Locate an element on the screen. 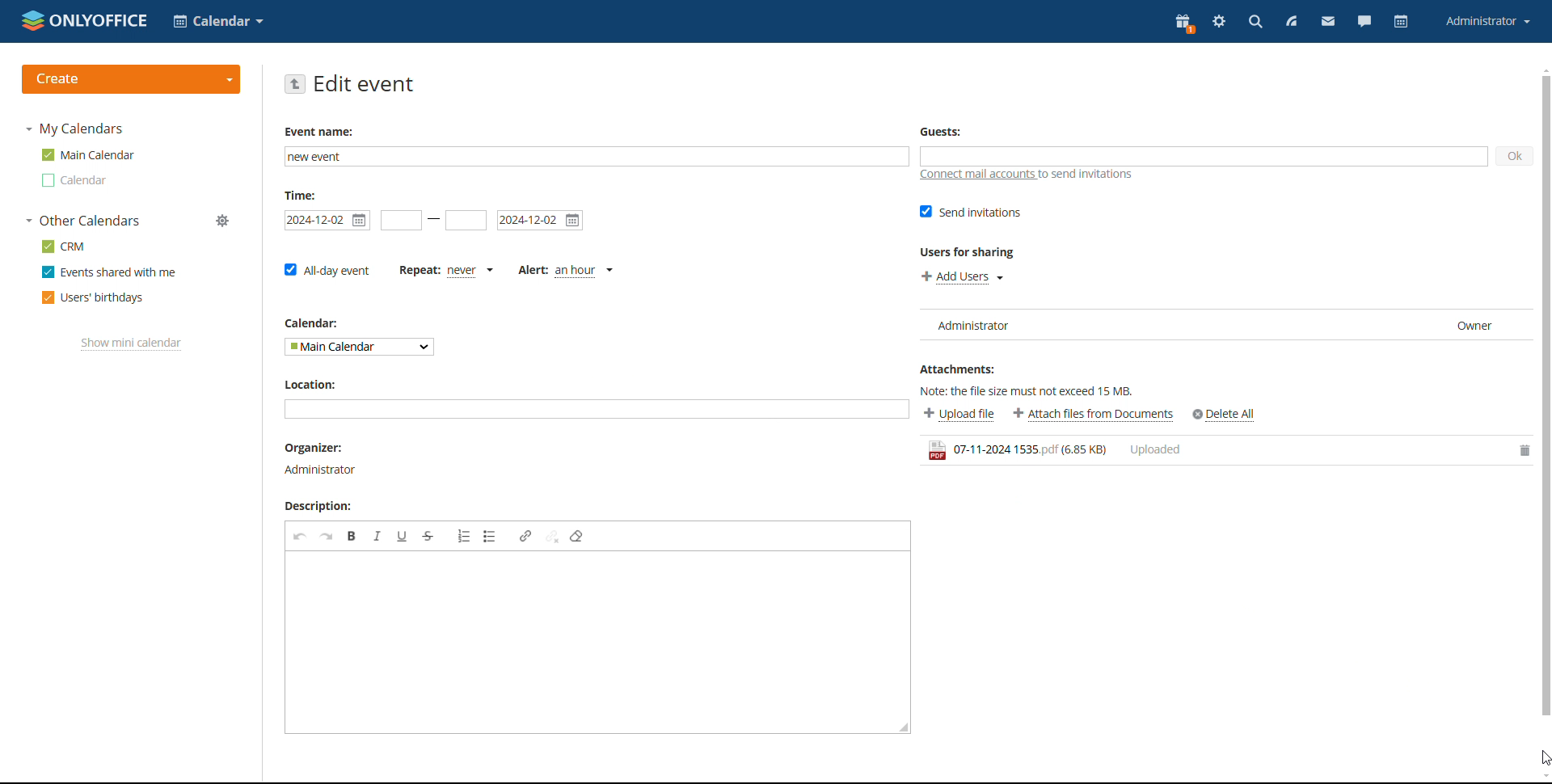  insert/remove numbered list is located at coordinates (464, 536).